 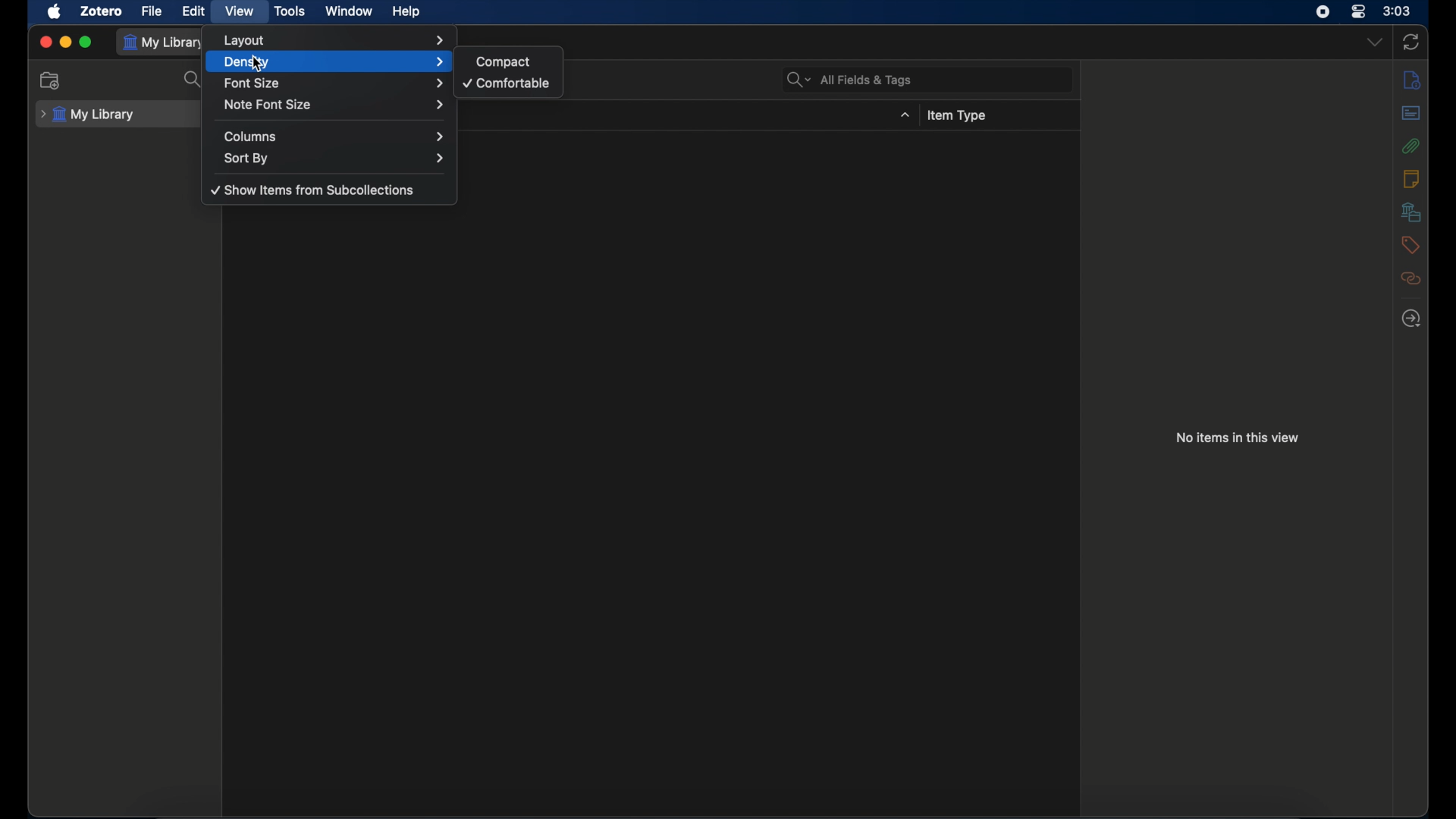 I want to click on no items in this view, so click(x=1238, y=437).